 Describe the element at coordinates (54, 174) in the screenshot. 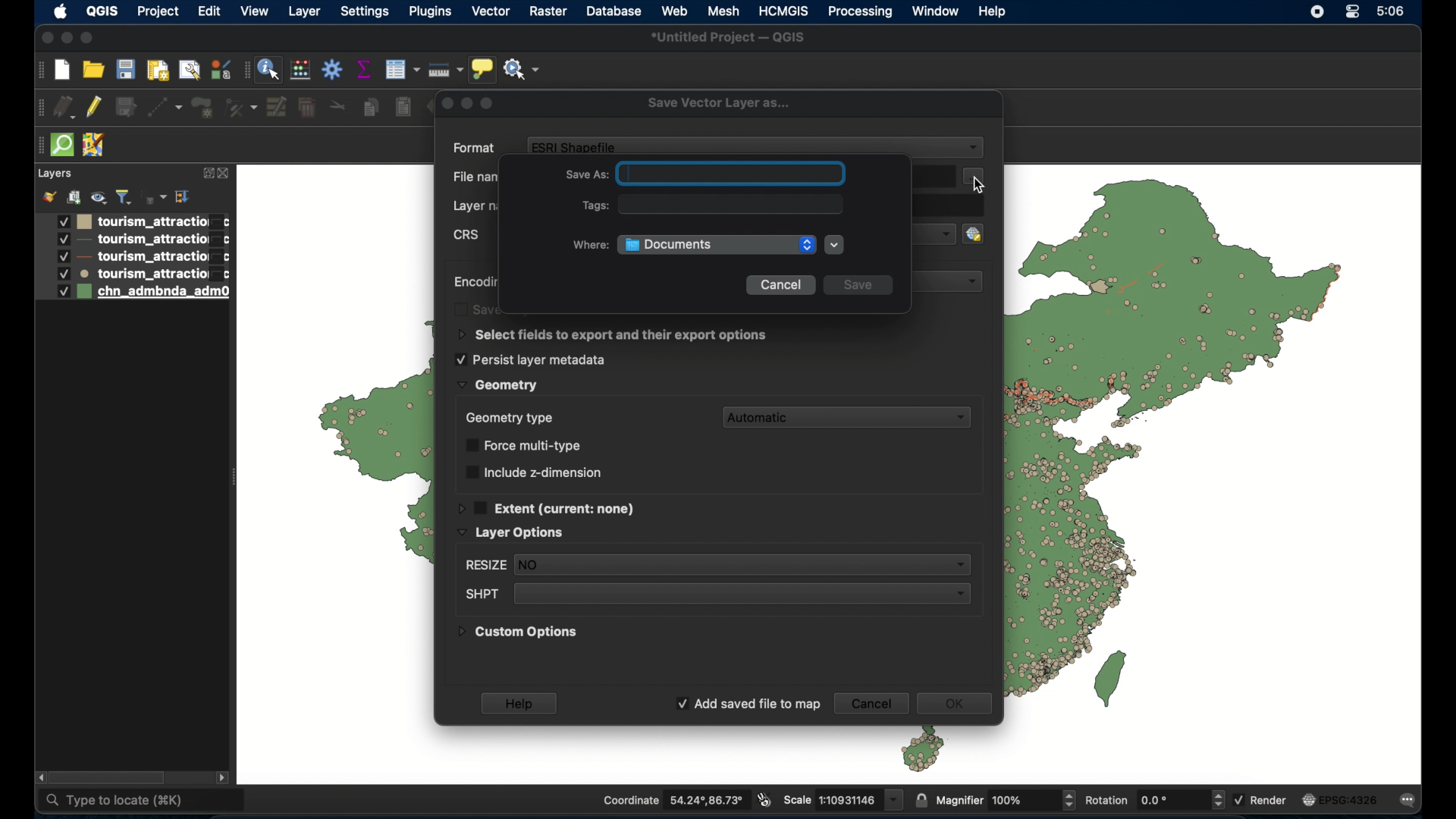

I see `layer` at that location.